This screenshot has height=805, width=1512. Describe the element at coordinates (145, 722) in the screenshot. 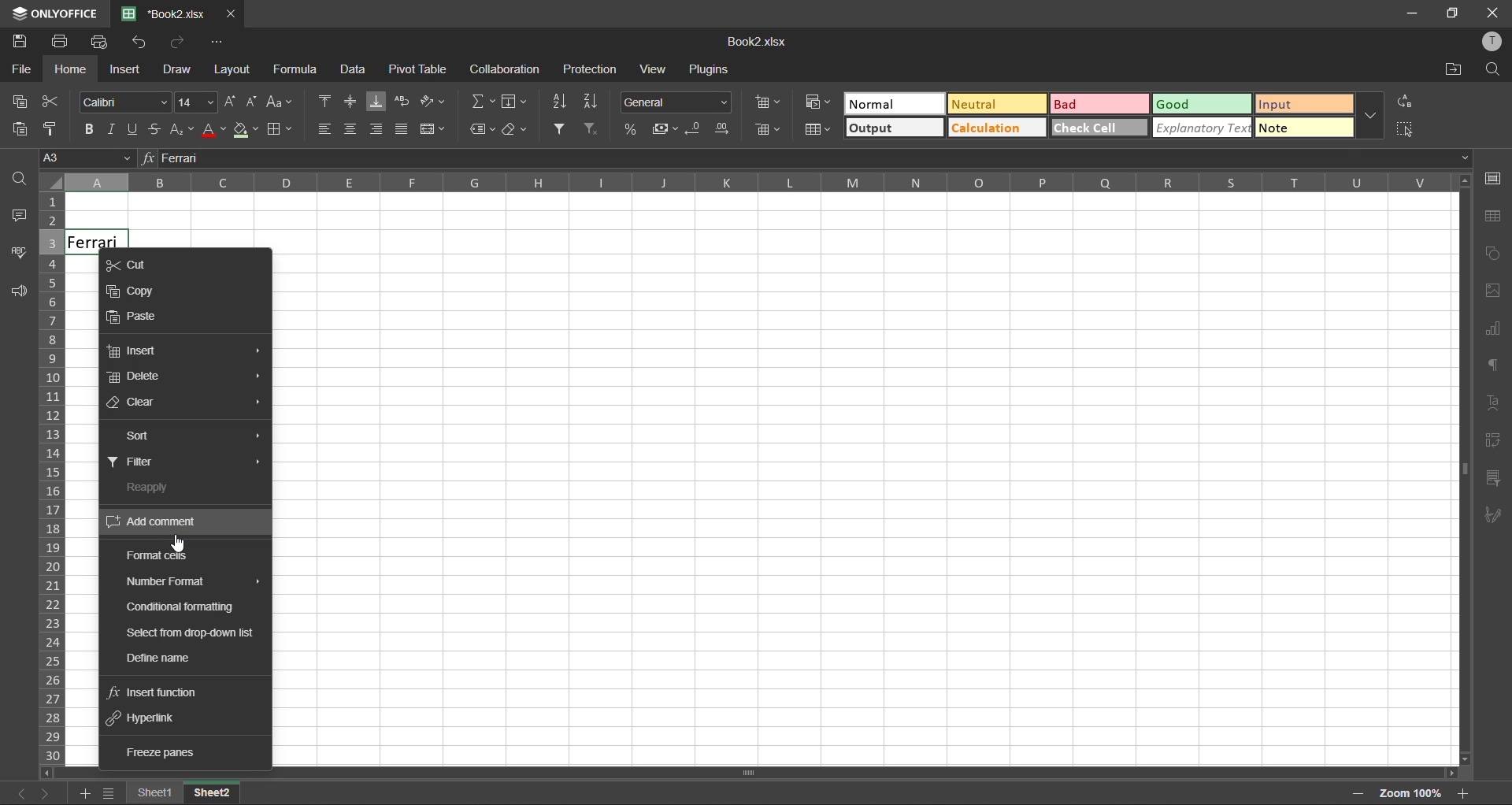

I see `hyperlink` at that location.